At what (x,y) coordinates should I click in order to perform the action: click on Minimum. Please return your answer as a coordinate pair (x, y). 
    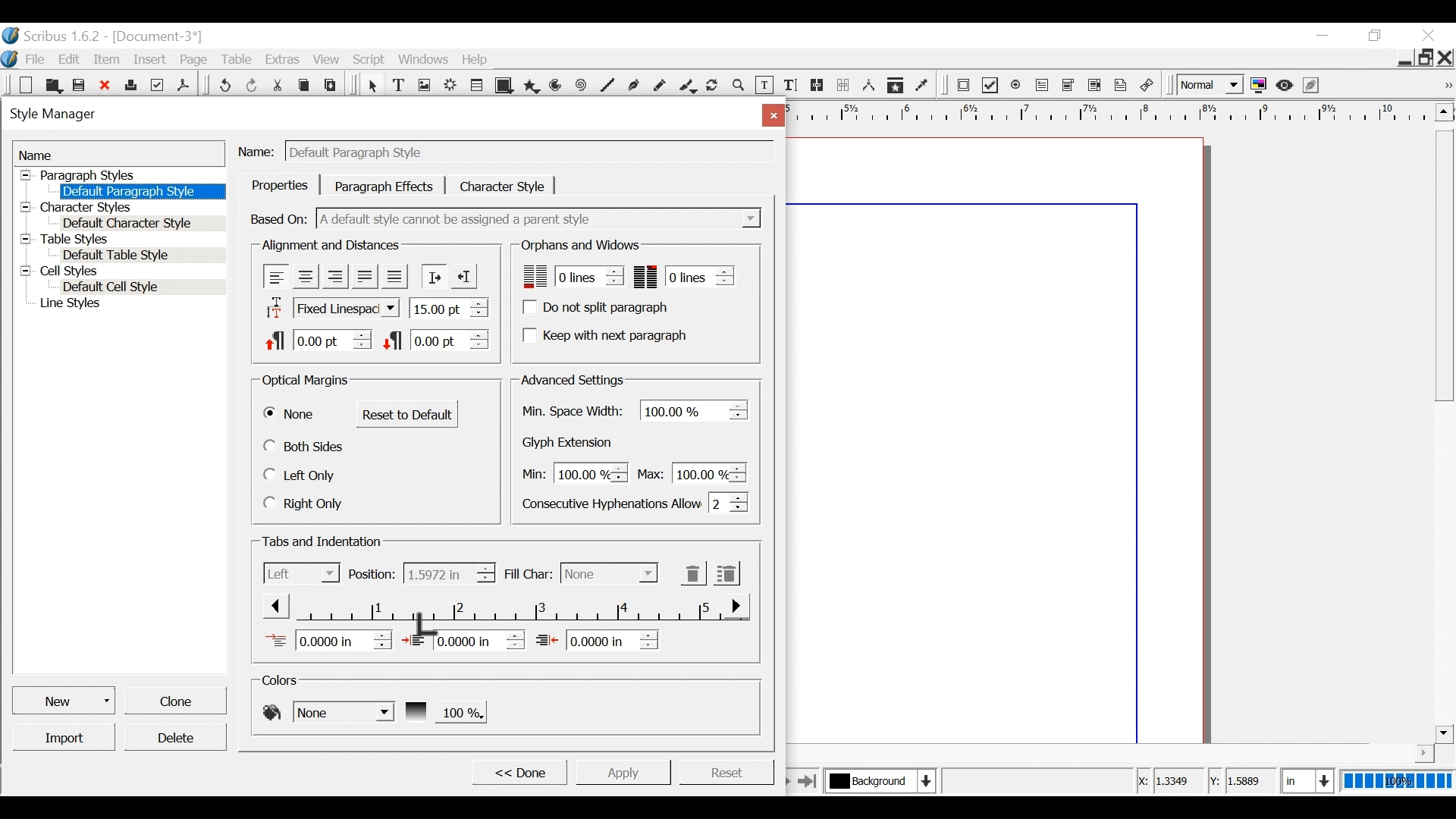
    Looking at the image, I should click on (571, 474).